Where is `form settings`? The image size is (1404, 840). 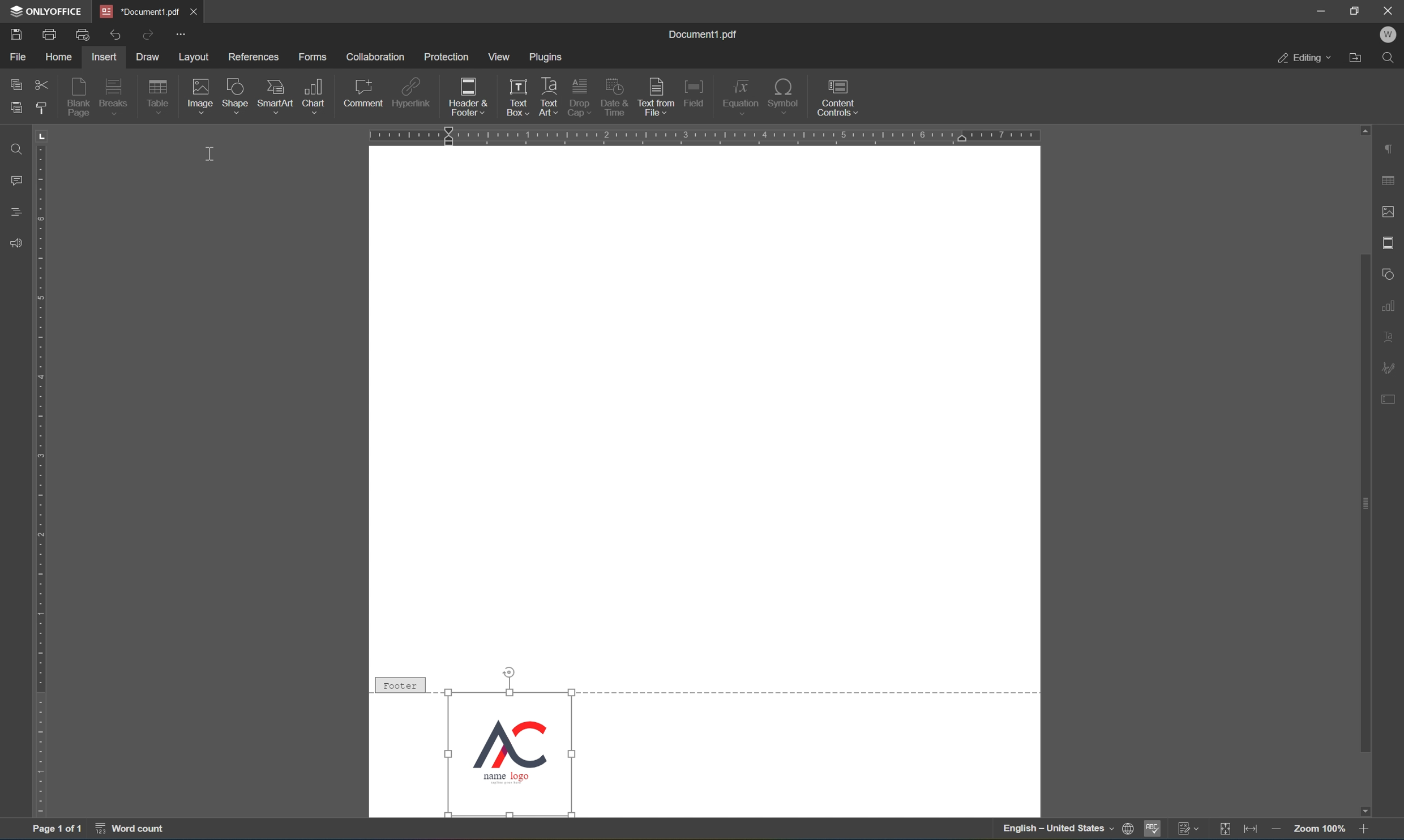
form settings is located at coordinates (1393, 404).